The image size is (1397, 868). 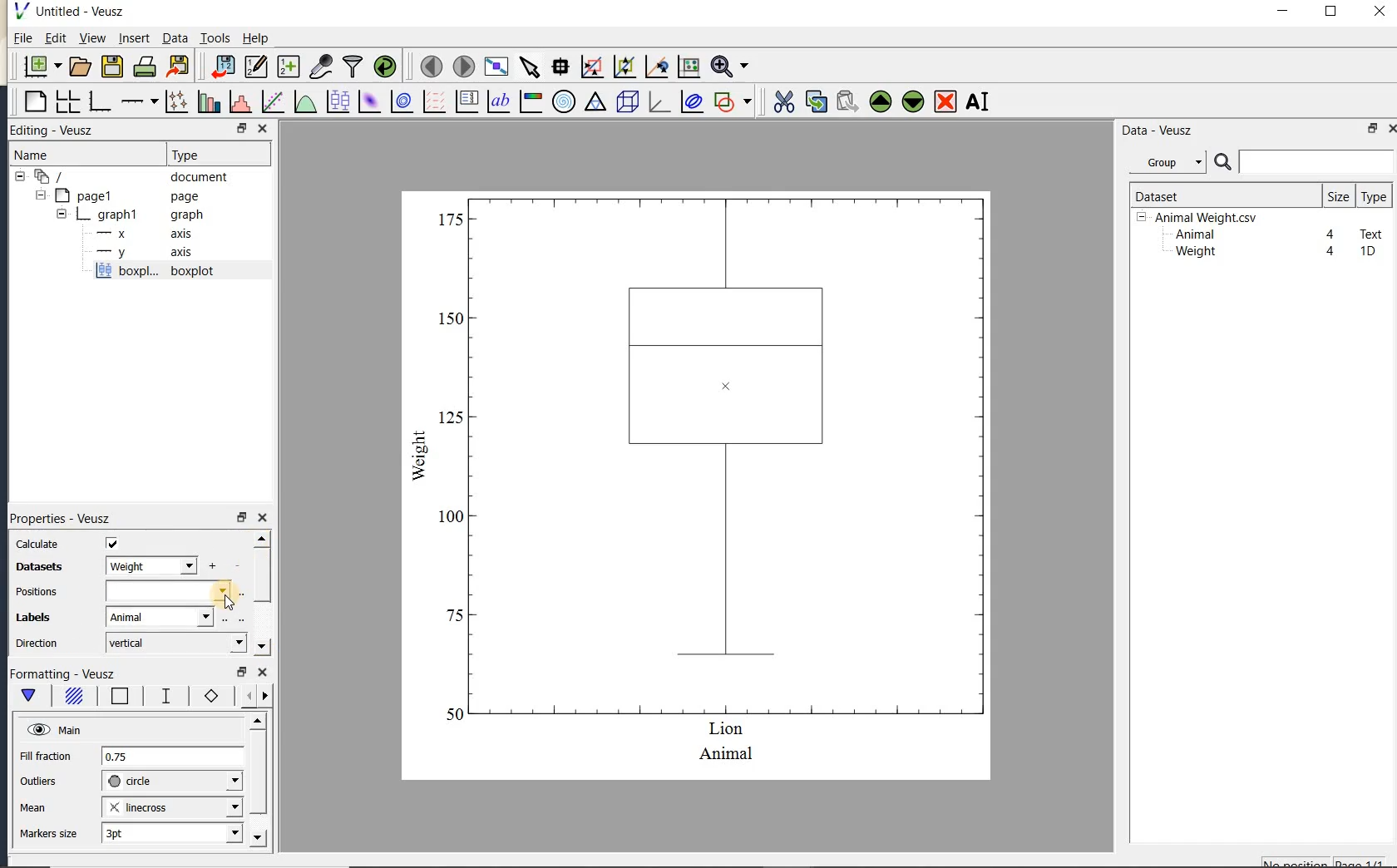 What do you see at coordinates (531, 101) in the screenshot?
I see `image color bar` at bounding box center [531, 101].